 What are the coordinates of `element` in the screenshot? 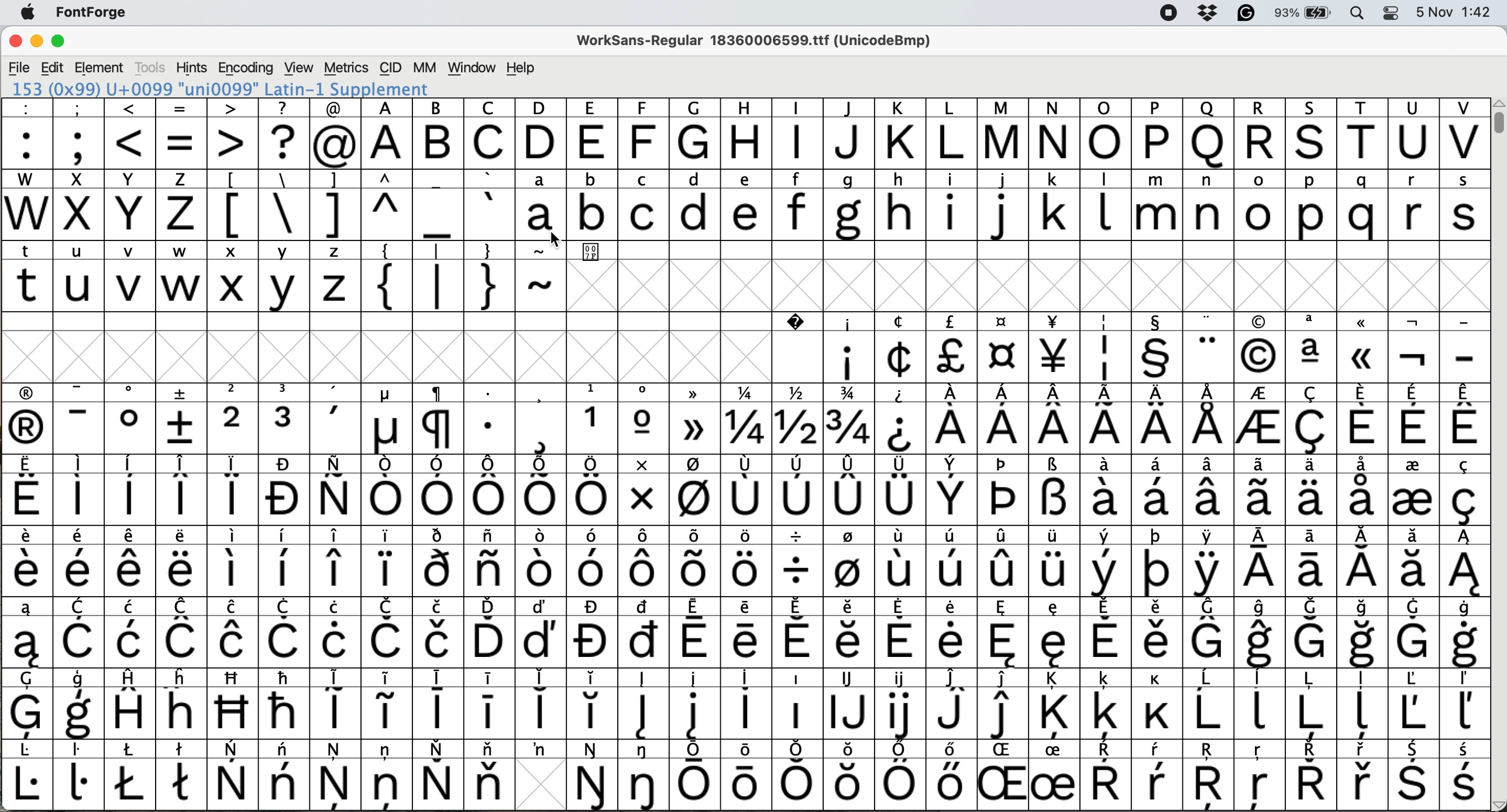 It's located at (100, 67).